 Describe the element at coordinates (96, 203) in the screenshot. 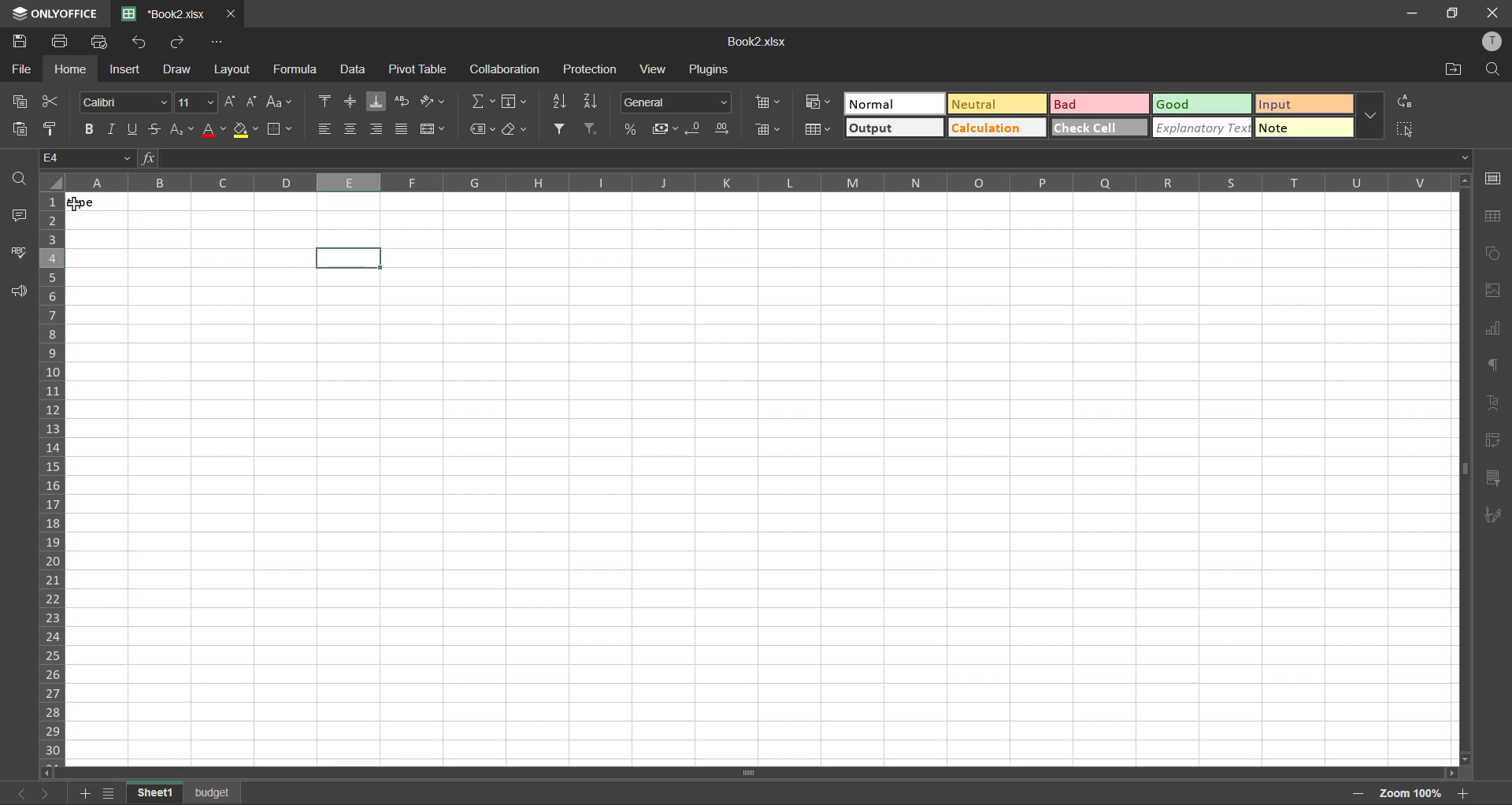

I see `type` at that location.